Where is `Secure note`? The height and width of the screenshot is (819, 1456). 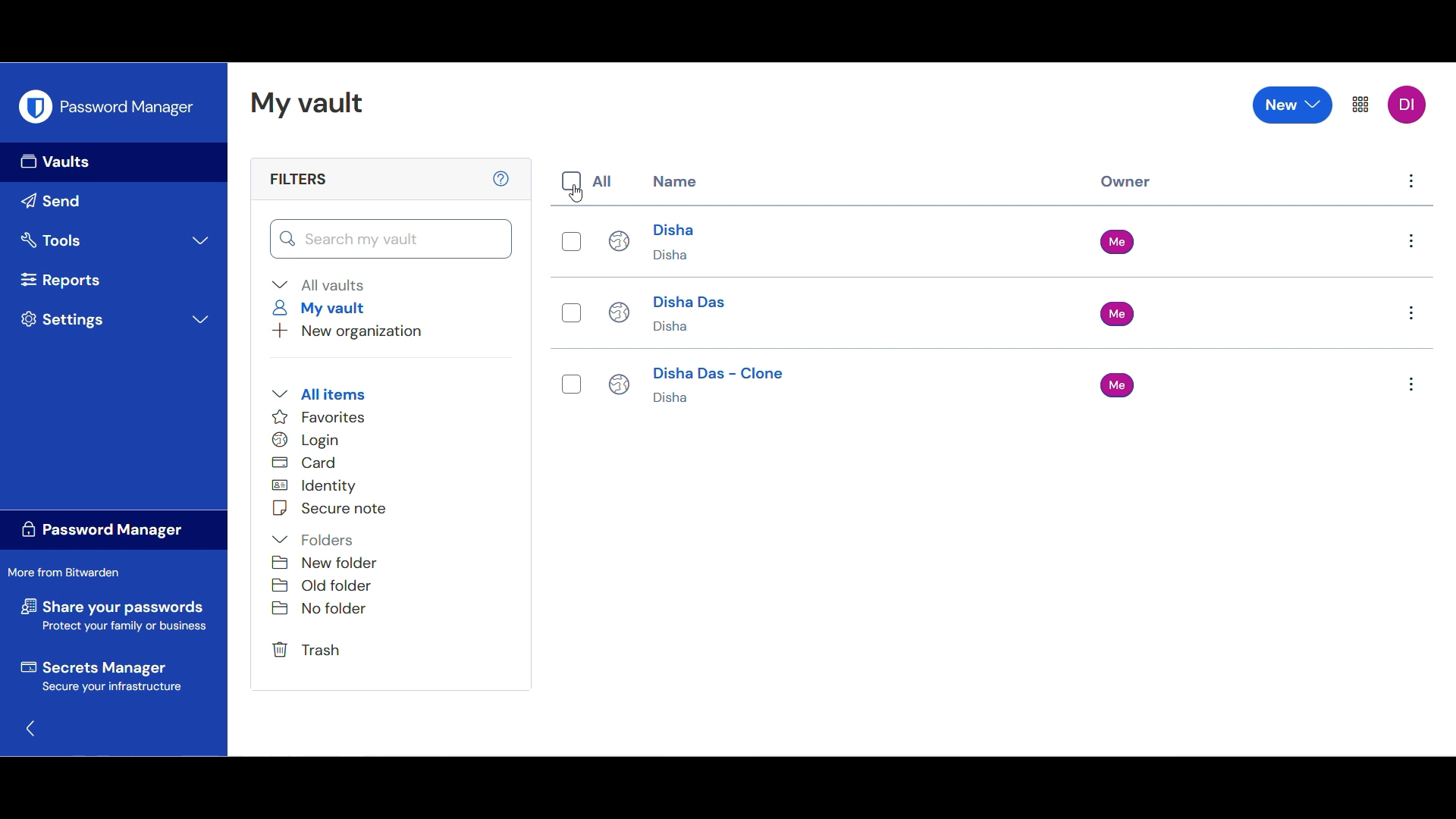
Secure note is located at coordinates (328, 508).